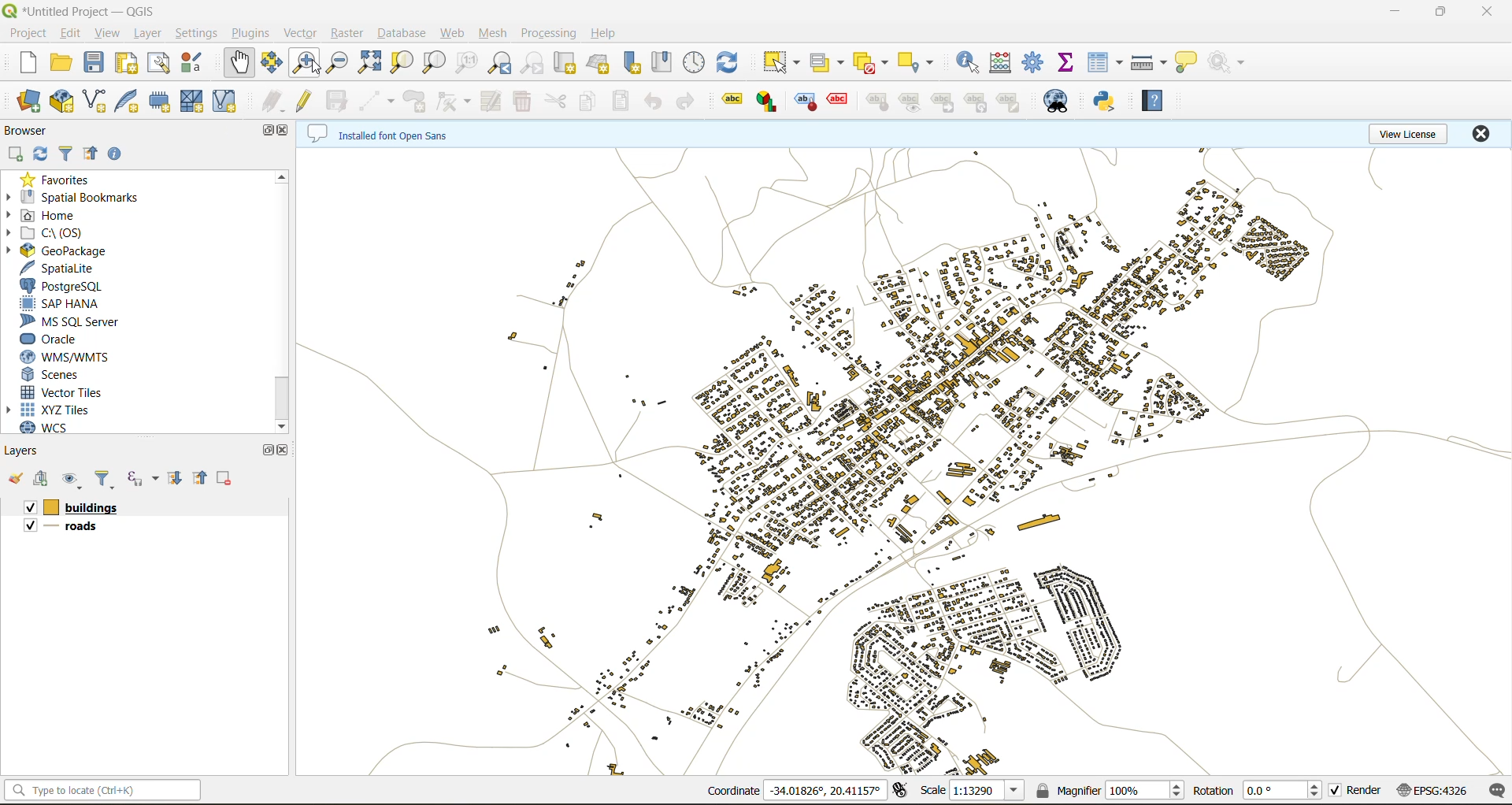 This screenshot has height=805, width=1512. Describe the element at coordinates (1149, 60) in the screenshot. I see `measure line` at that location.